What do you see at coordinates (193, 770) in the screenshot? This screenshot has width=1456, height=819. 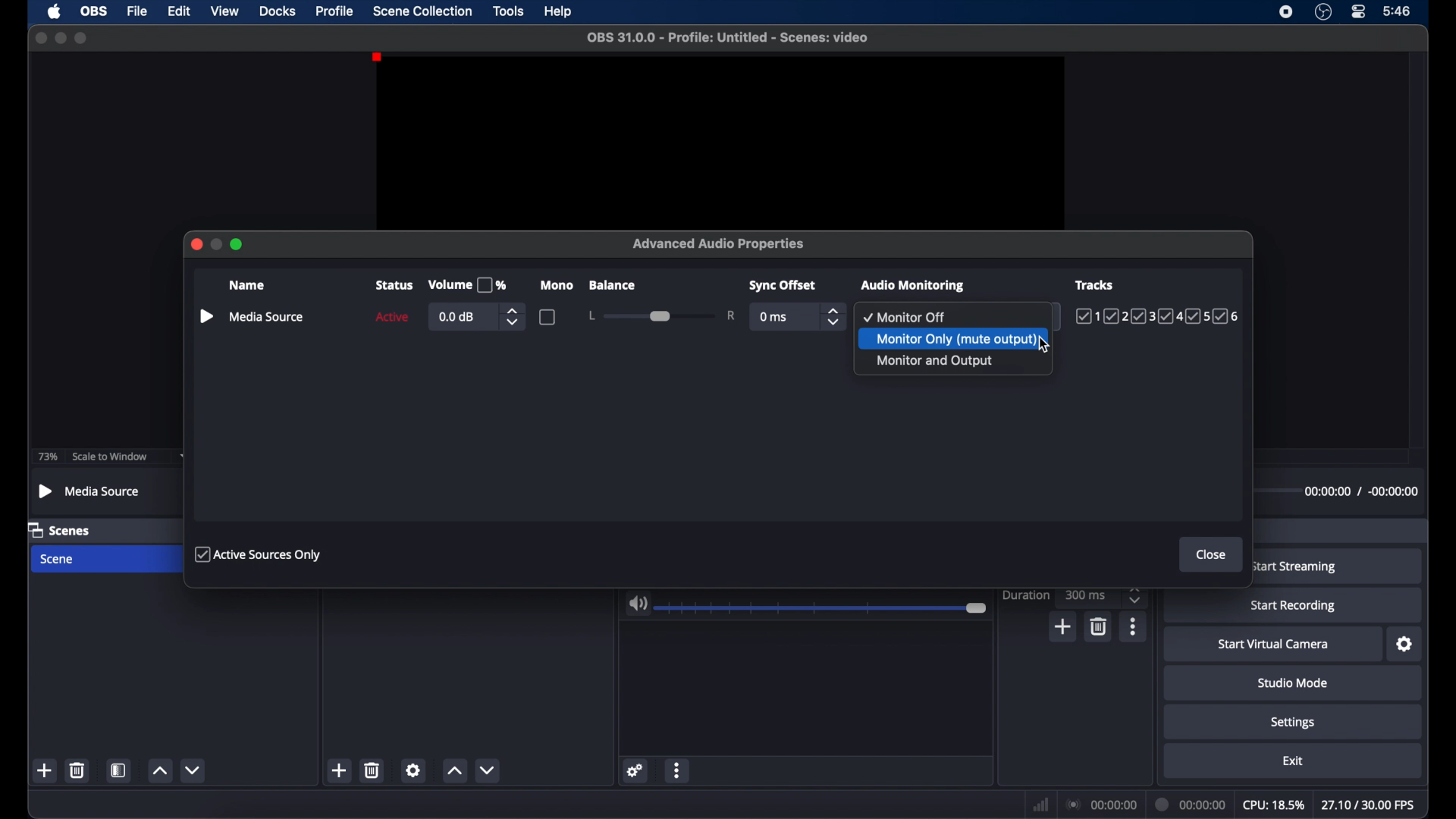 I see `decrement` at bounding box center [193, 770].